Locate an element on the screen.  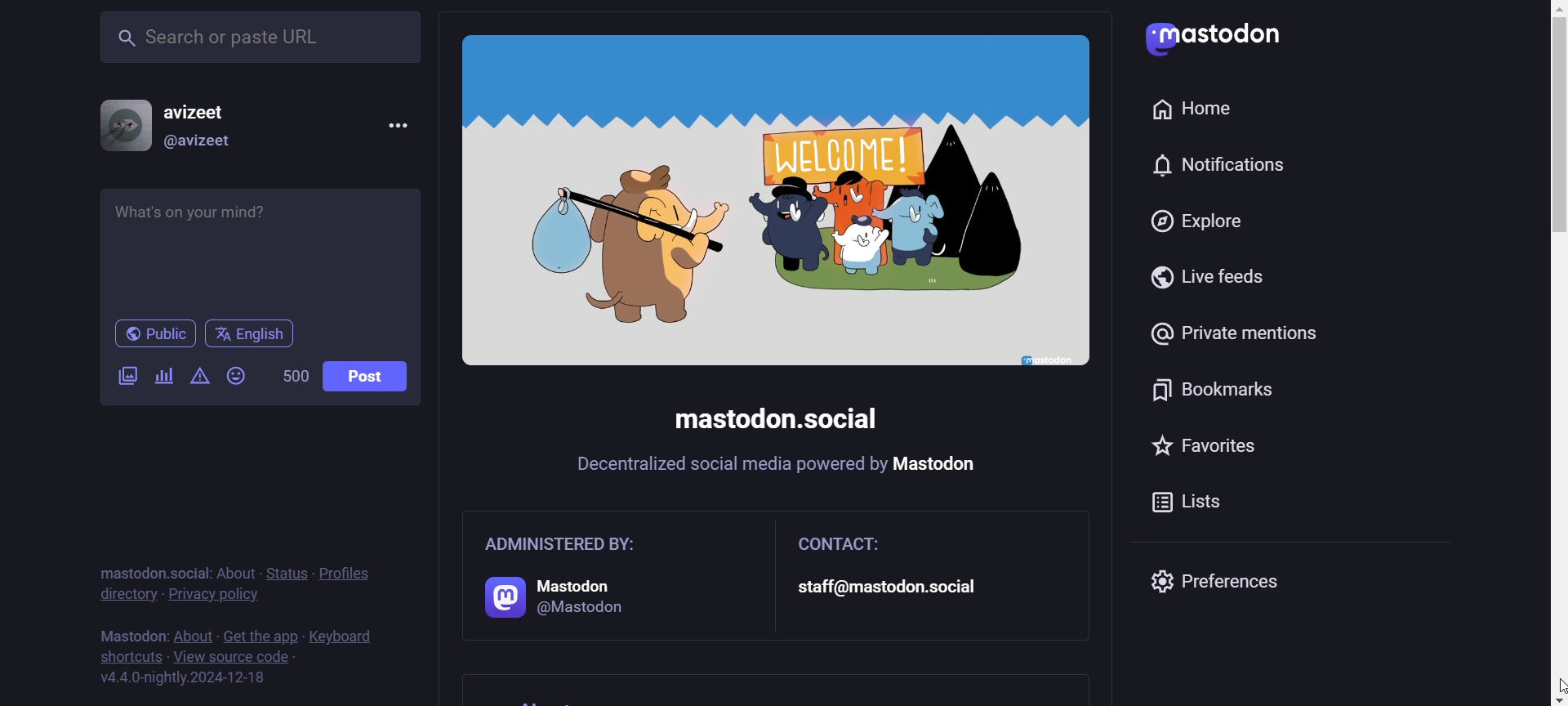
logo is located at coordinates (1214, 40).